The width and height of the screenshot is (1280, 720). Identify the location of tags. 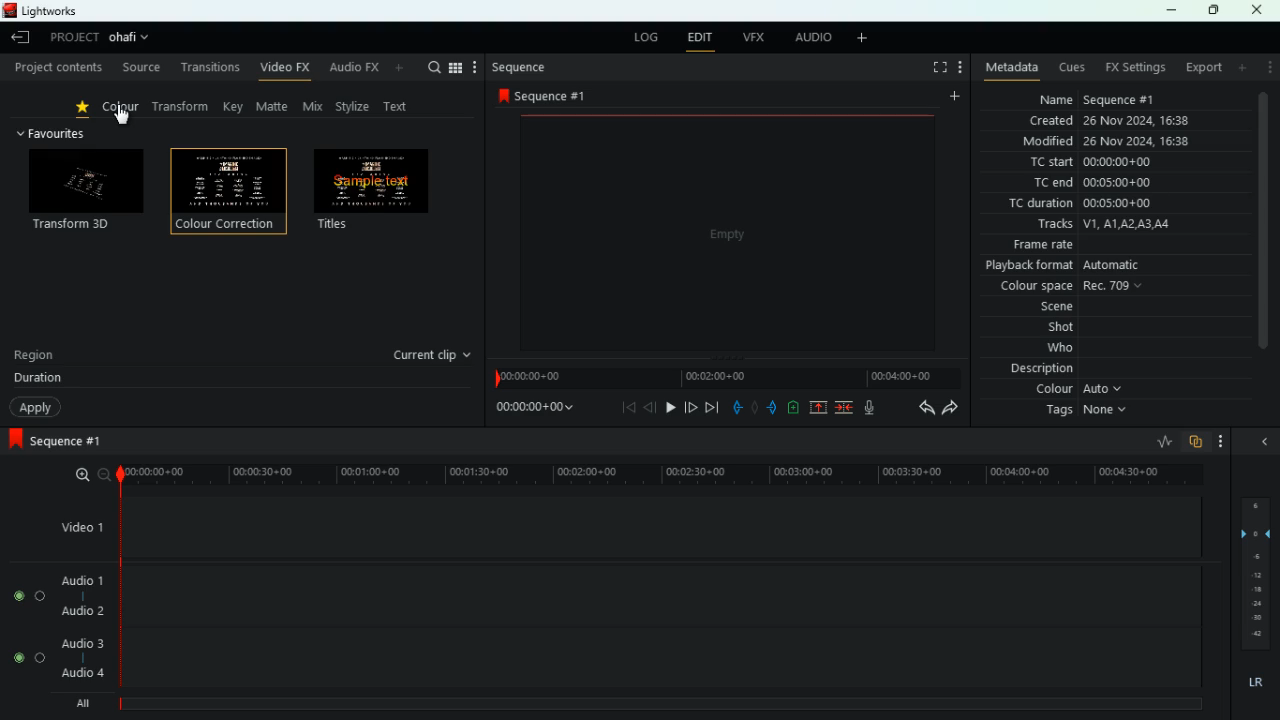
(1090, 415).